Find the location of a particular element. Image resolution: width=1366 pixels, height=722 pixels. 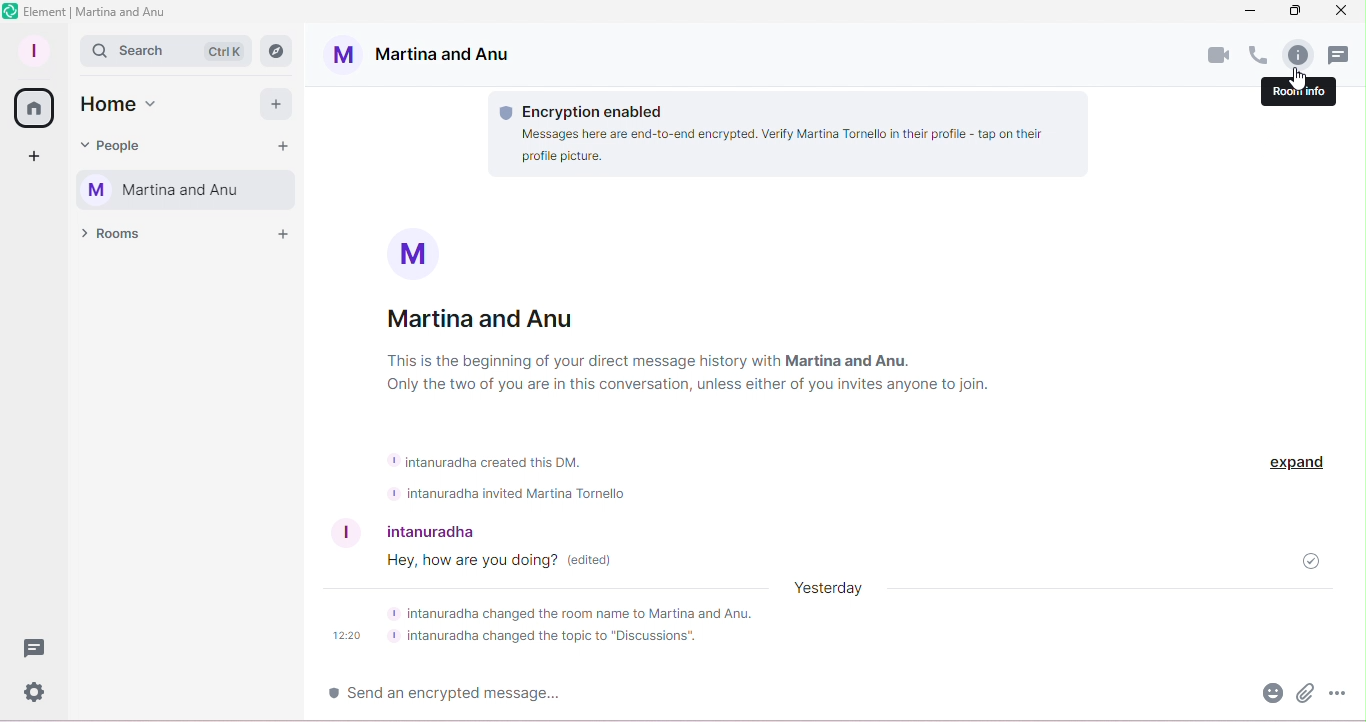

Home is located at coordinates (127, 109).